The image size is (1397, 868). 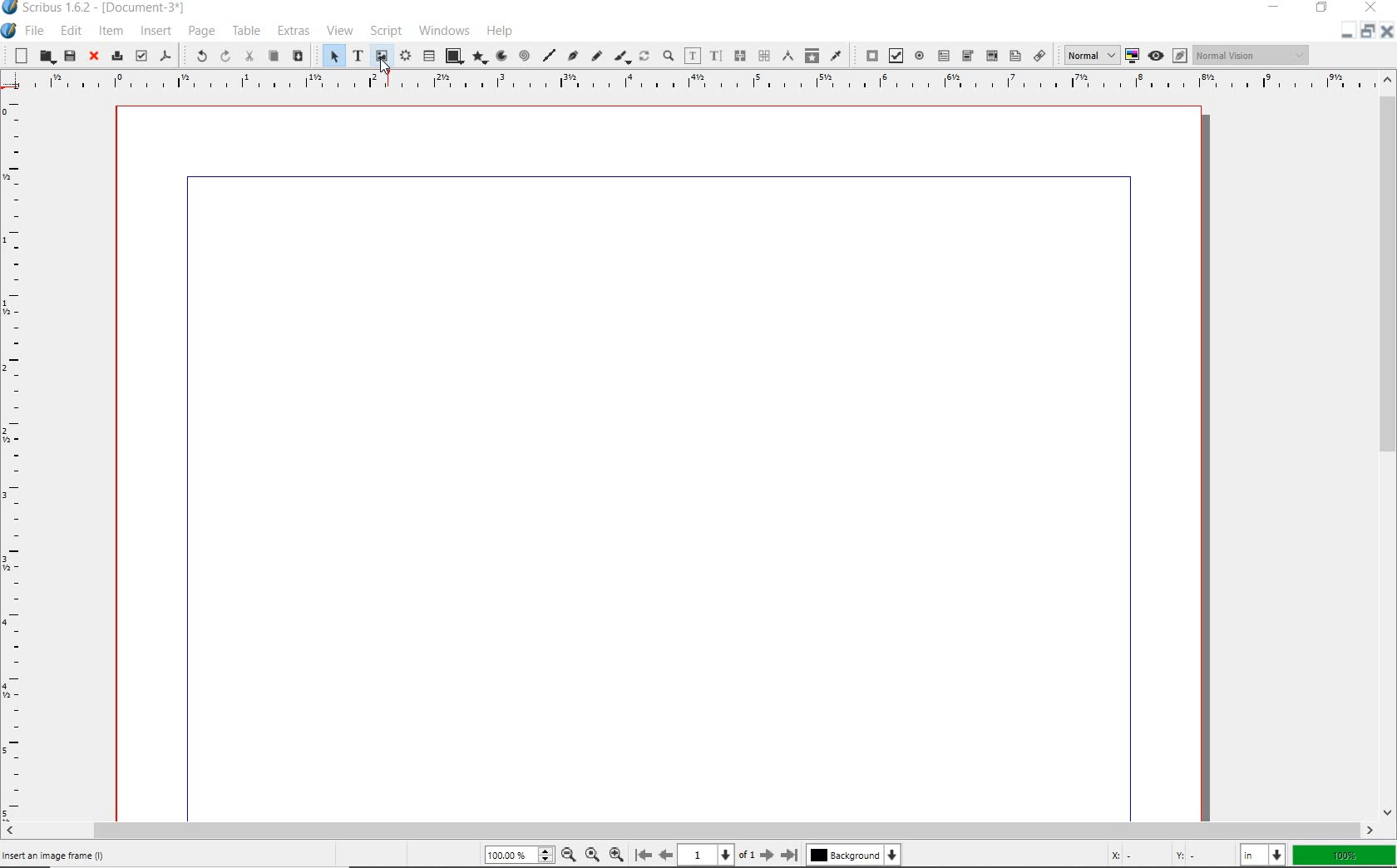 What do you see at coordinates (1155, 856) in the screenshot?
I see `coordinates` at bounding box center [1155, 856].